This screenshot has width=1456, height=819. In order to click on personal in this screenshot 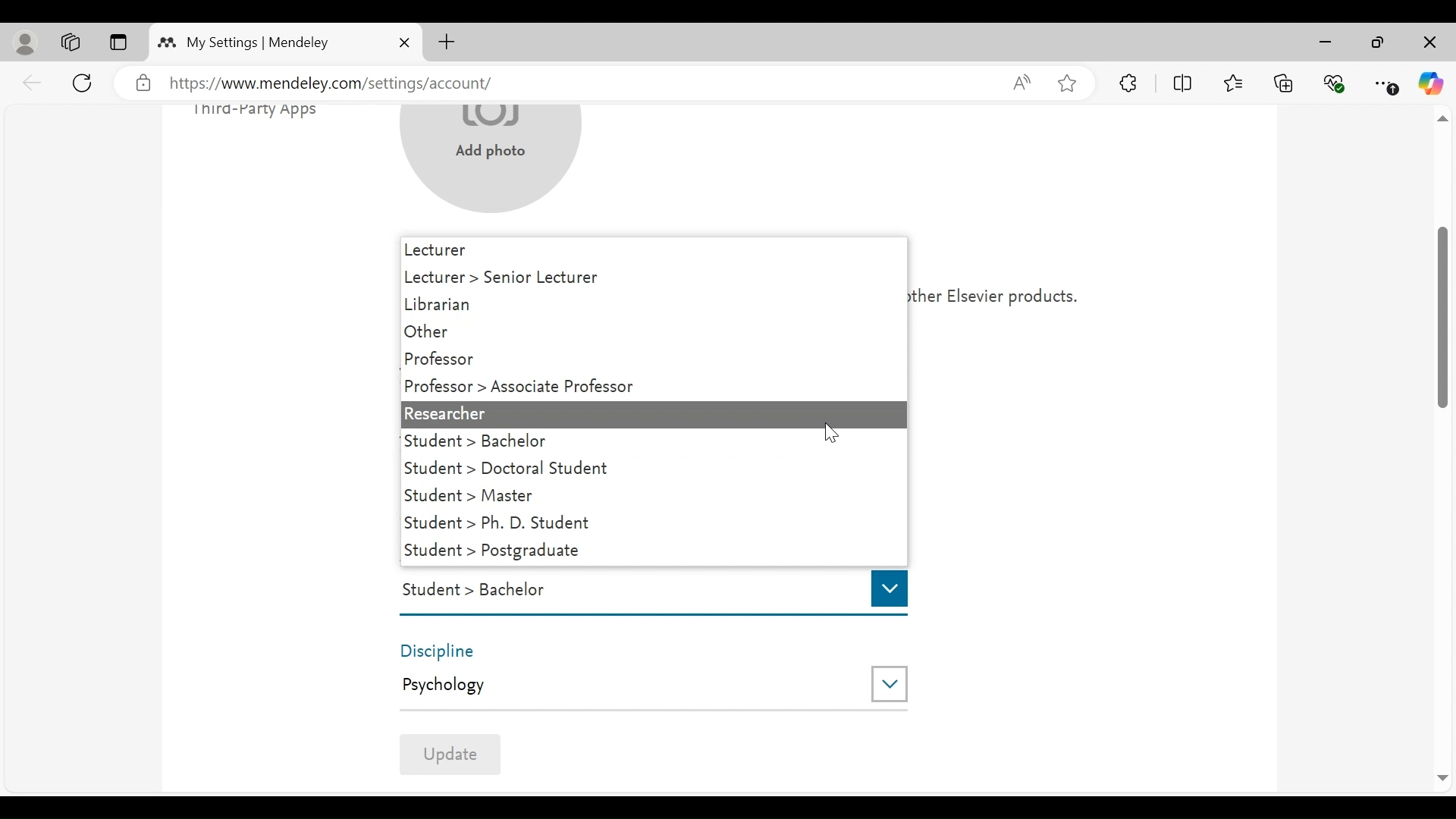, I will do `click(27, 43)`.